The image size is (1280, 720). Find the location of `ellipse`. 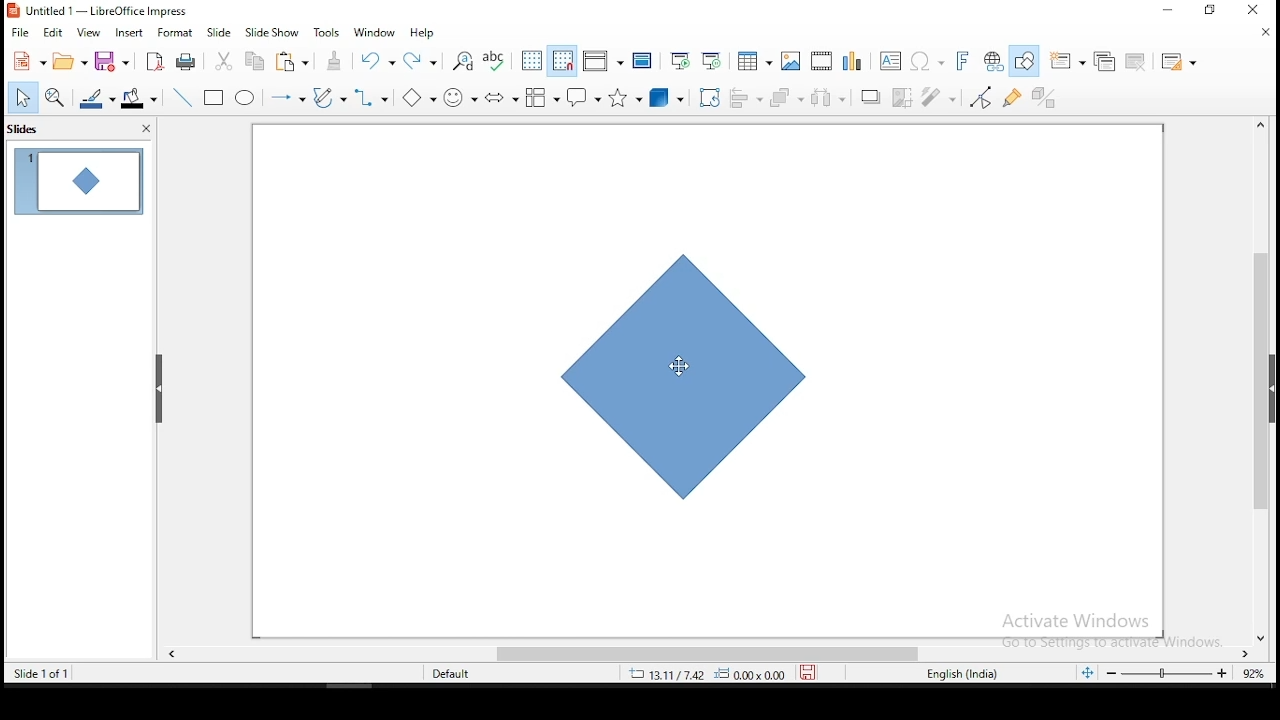

ellipse is located at coordinates (247, 100).